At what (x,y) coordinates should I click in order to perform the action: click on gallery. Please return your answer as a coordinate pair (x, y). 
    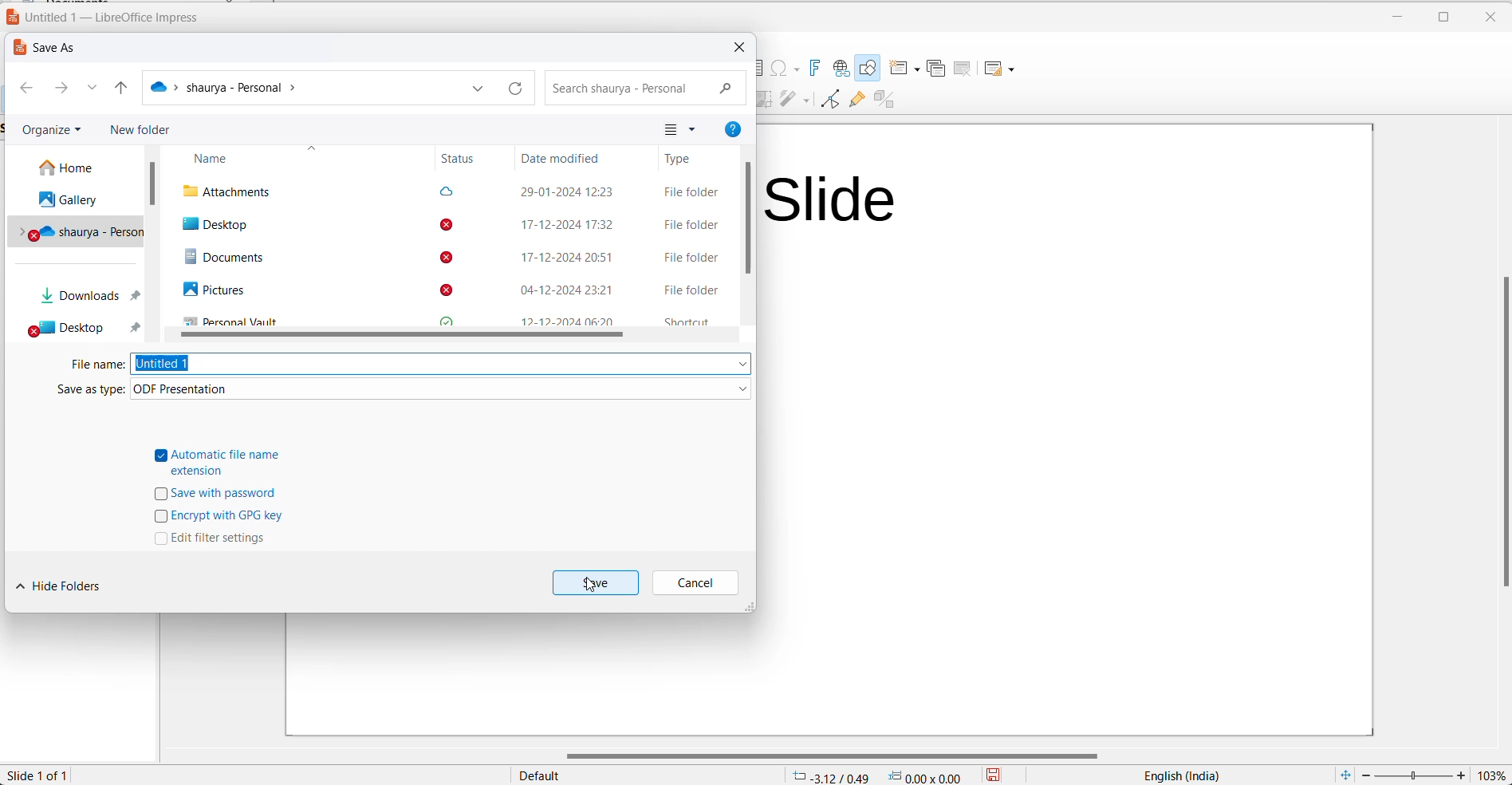
    Looking at the image, I should click on (72, 199).